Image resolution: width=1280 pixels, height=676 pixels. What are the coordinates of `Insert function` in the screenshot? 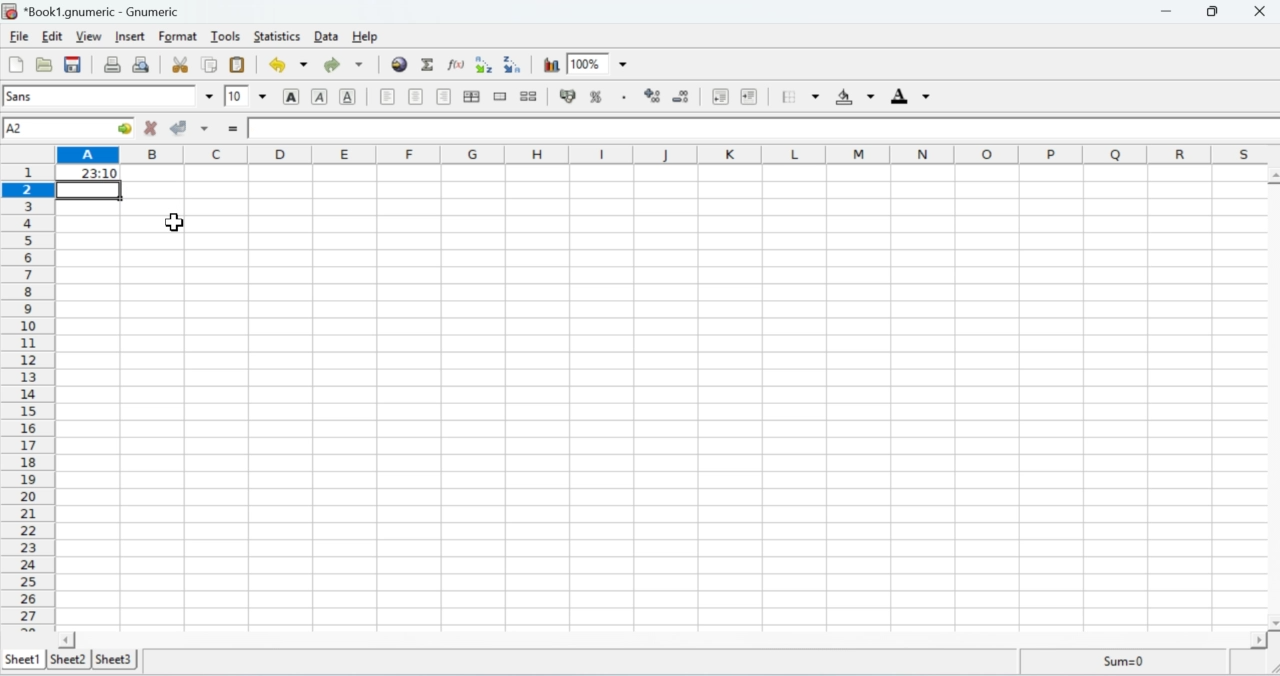 It's located at (231, 130).